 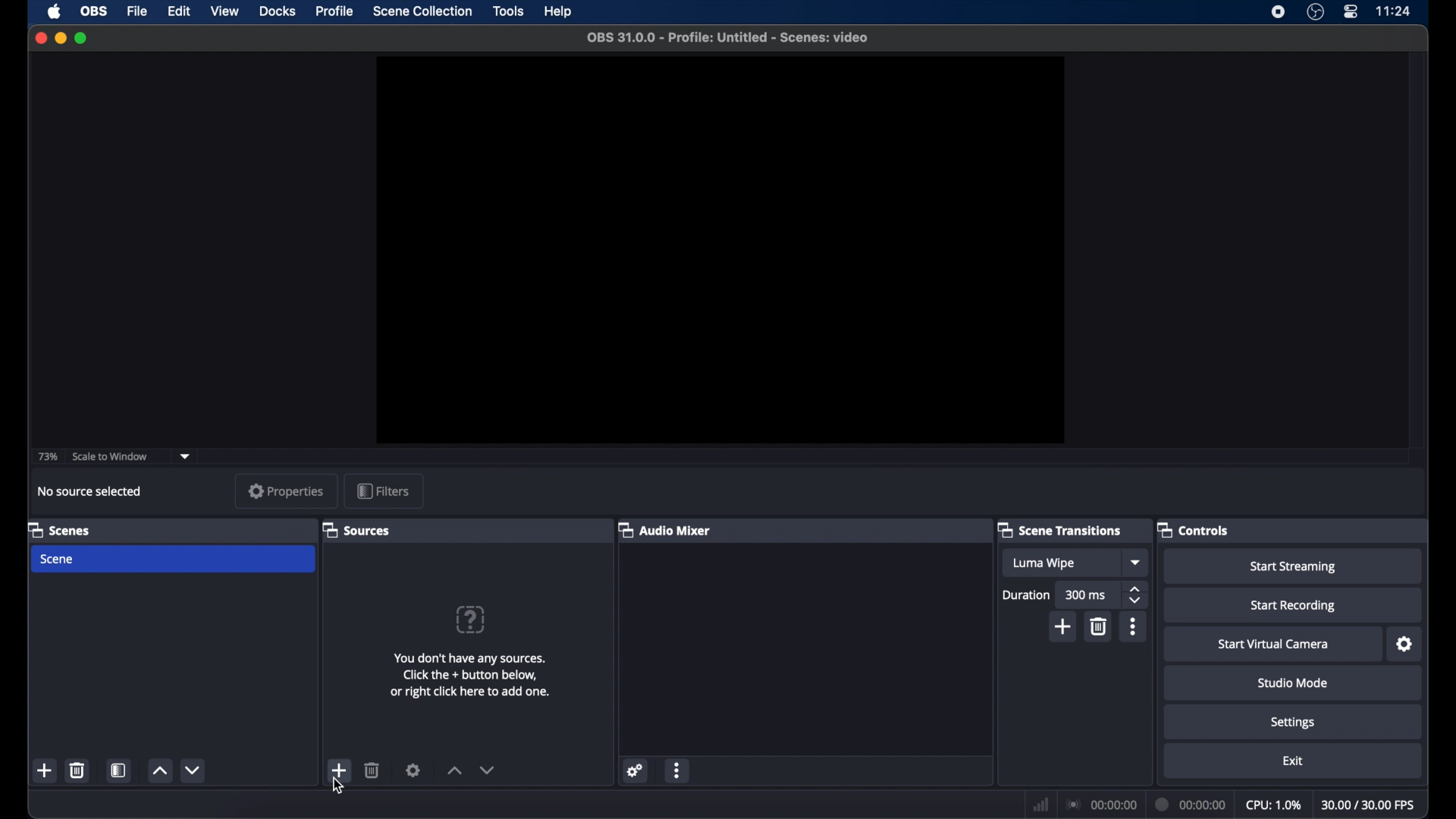 I want to click on scenes, so click(x=61, y=529).